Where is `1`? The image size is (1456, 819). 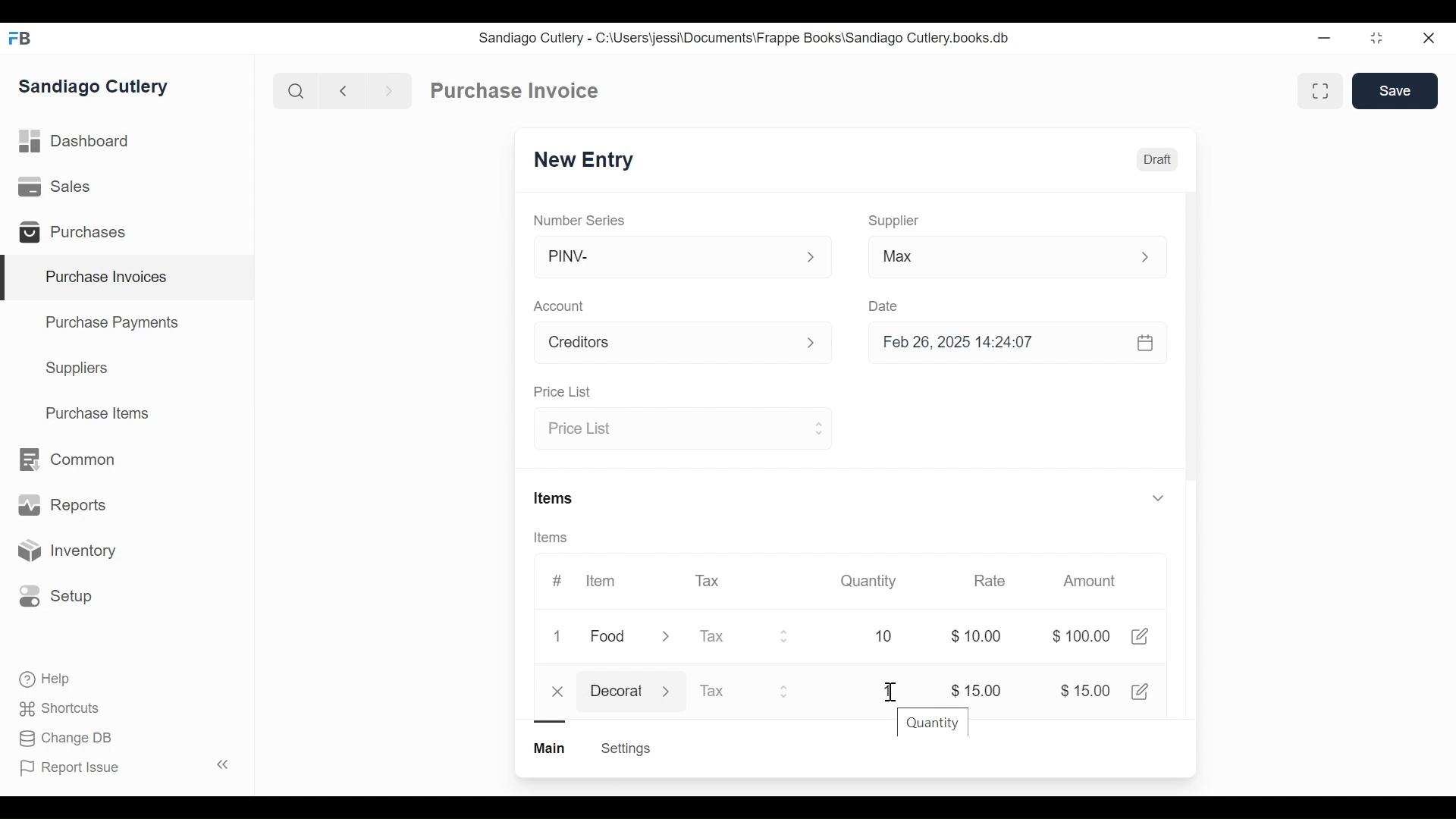 1 is located at coordinates (561, 637).